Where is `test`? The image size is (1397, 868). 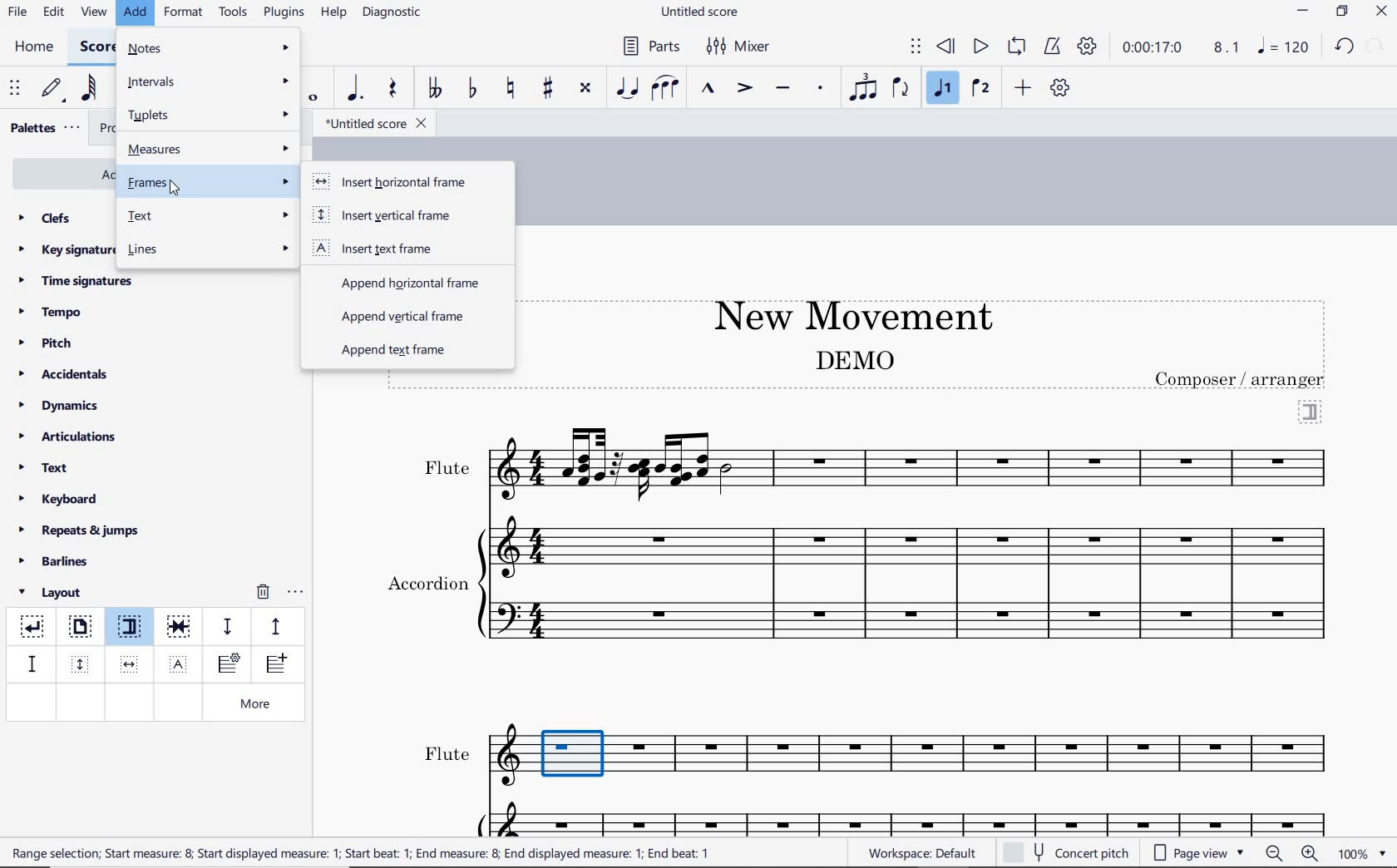 test is located at coordinates (210, 217).